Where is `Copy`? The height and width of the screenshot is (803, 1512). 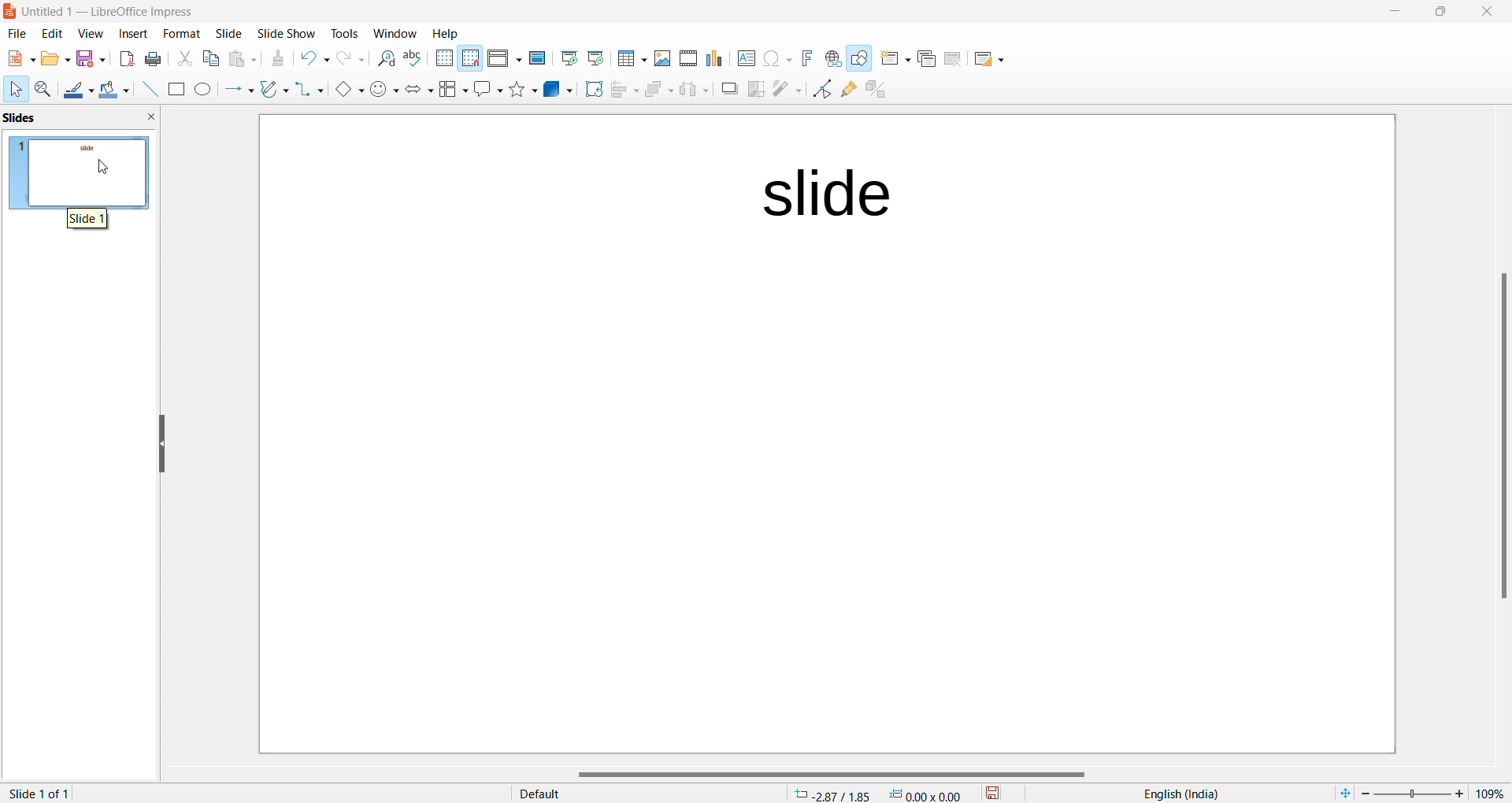 Copy is located at coordinates (209, 60).